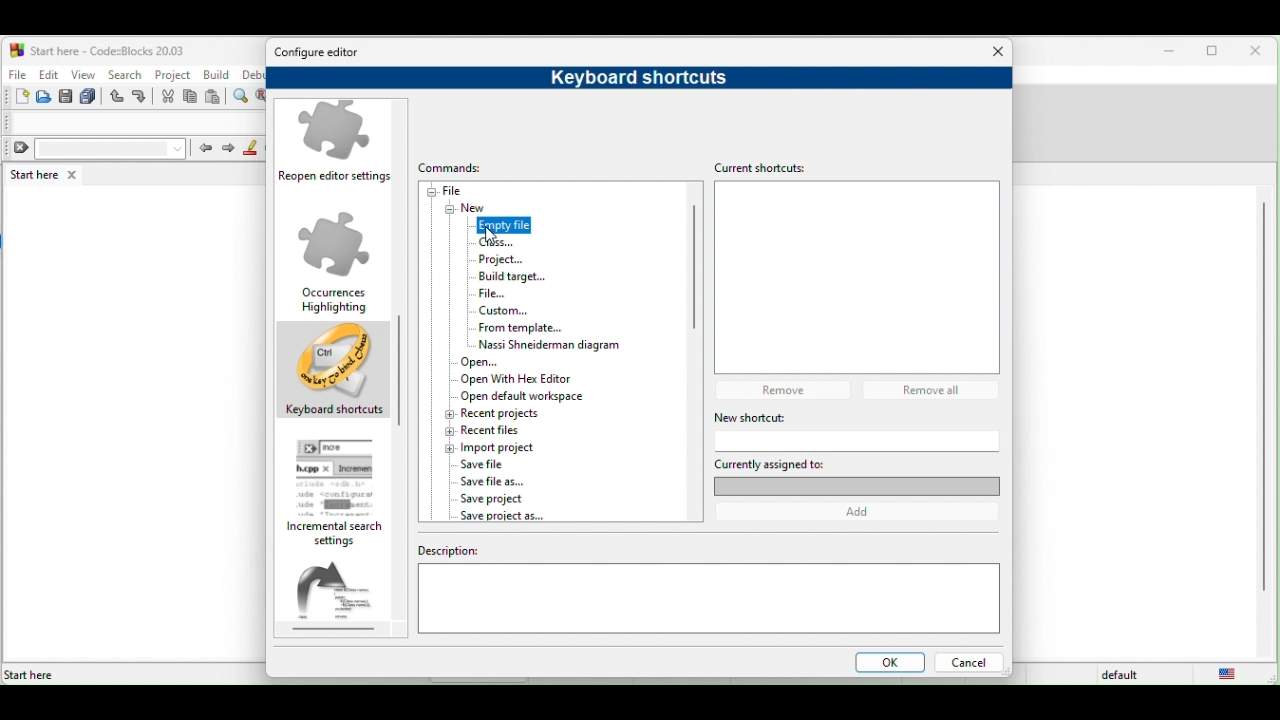 This screenshot has width=1280, height=720. What do you see at coordinates (768, 167) in the screenshot?
I see `current shortcuts` at bounding box center [768, 167].